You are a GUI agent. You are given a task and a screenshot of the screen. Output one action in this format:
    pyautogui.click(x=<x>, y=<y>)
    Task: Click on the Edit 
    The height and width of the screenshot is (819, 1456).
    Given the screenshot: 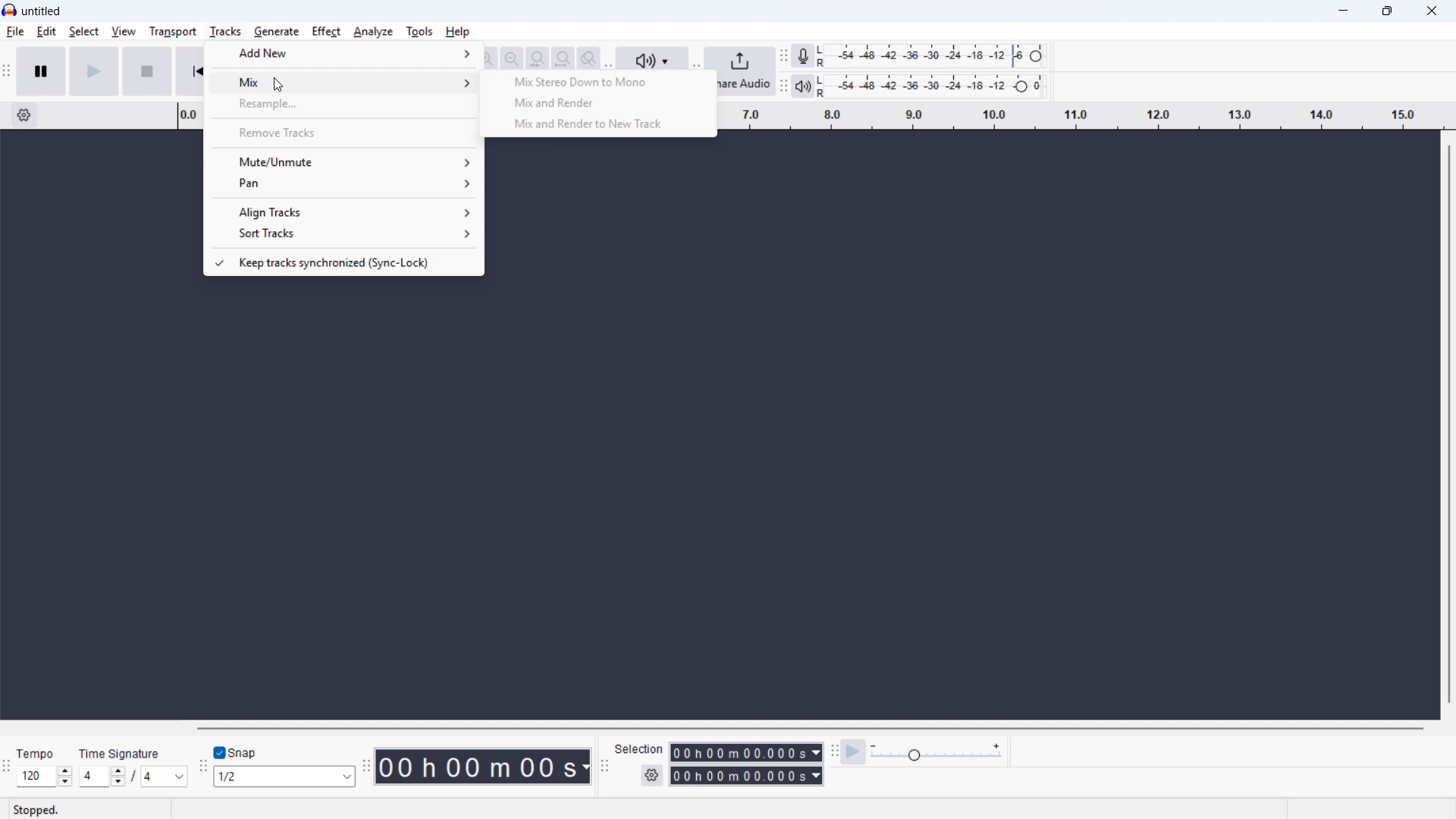 What is the action you would take?
    pyautogui.click(x=46, y=33)
    